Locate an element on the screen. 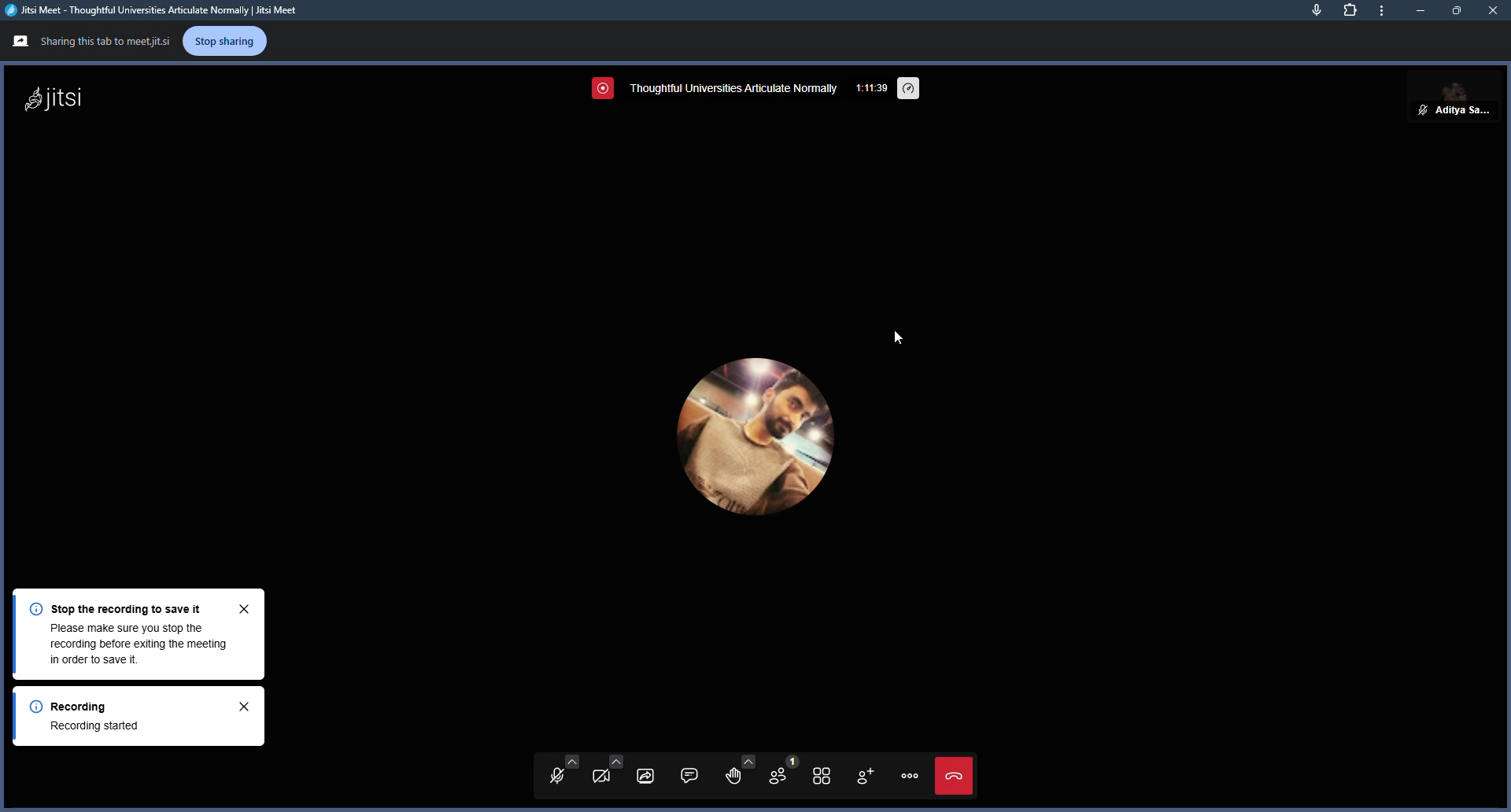 The image size is (1511, 812). raise hand is located at coordinates (737, 773).